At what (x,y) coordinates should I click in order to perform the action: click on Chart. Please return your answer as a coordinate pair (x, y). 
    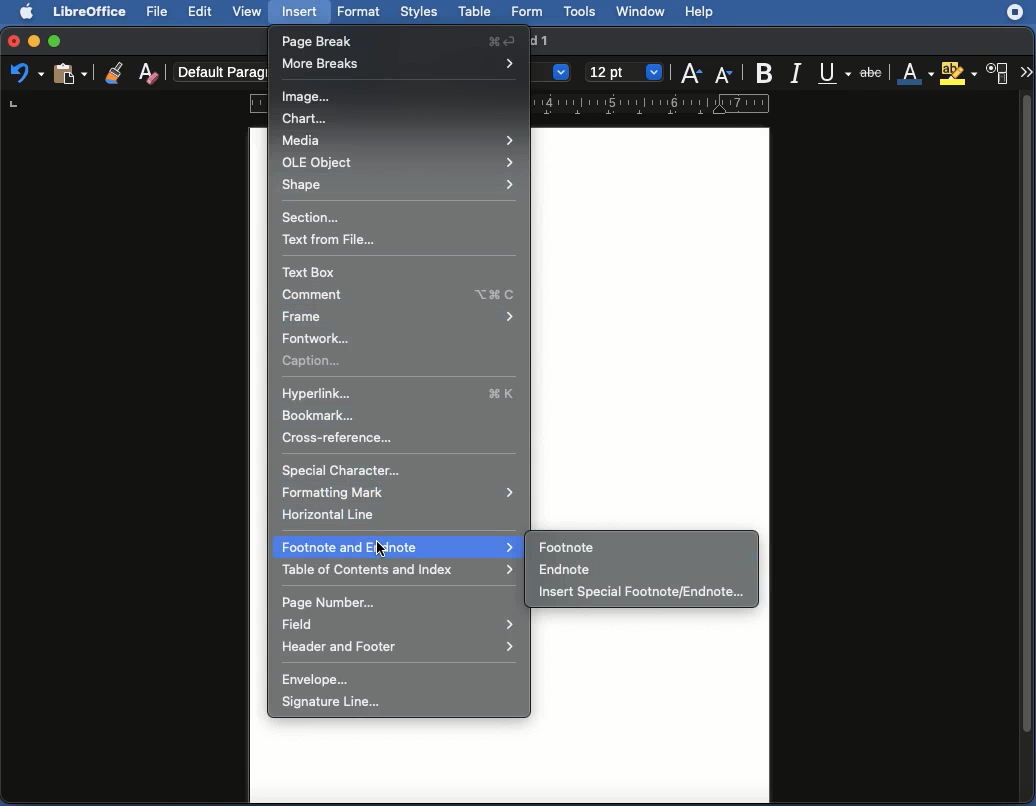
    Looking at the image, I should click on (307, 116).